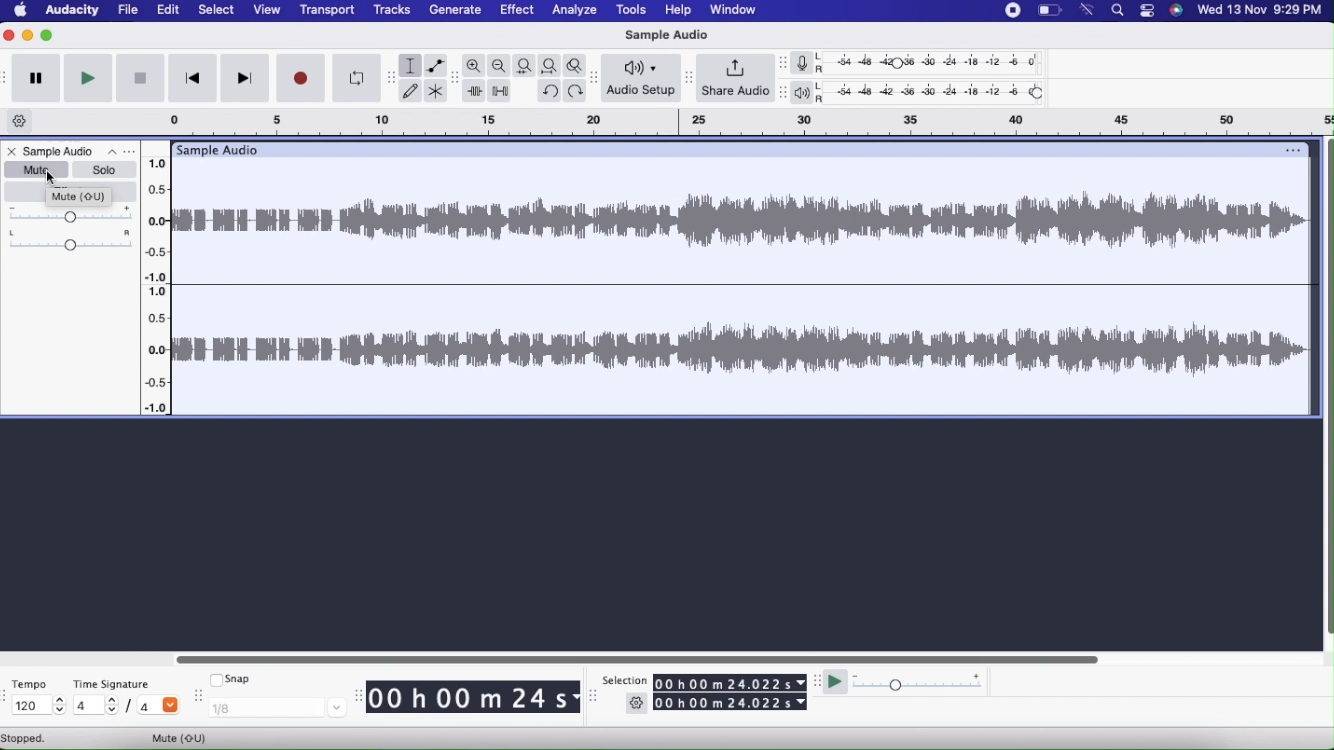  I want to click on View, so click(268, 10).